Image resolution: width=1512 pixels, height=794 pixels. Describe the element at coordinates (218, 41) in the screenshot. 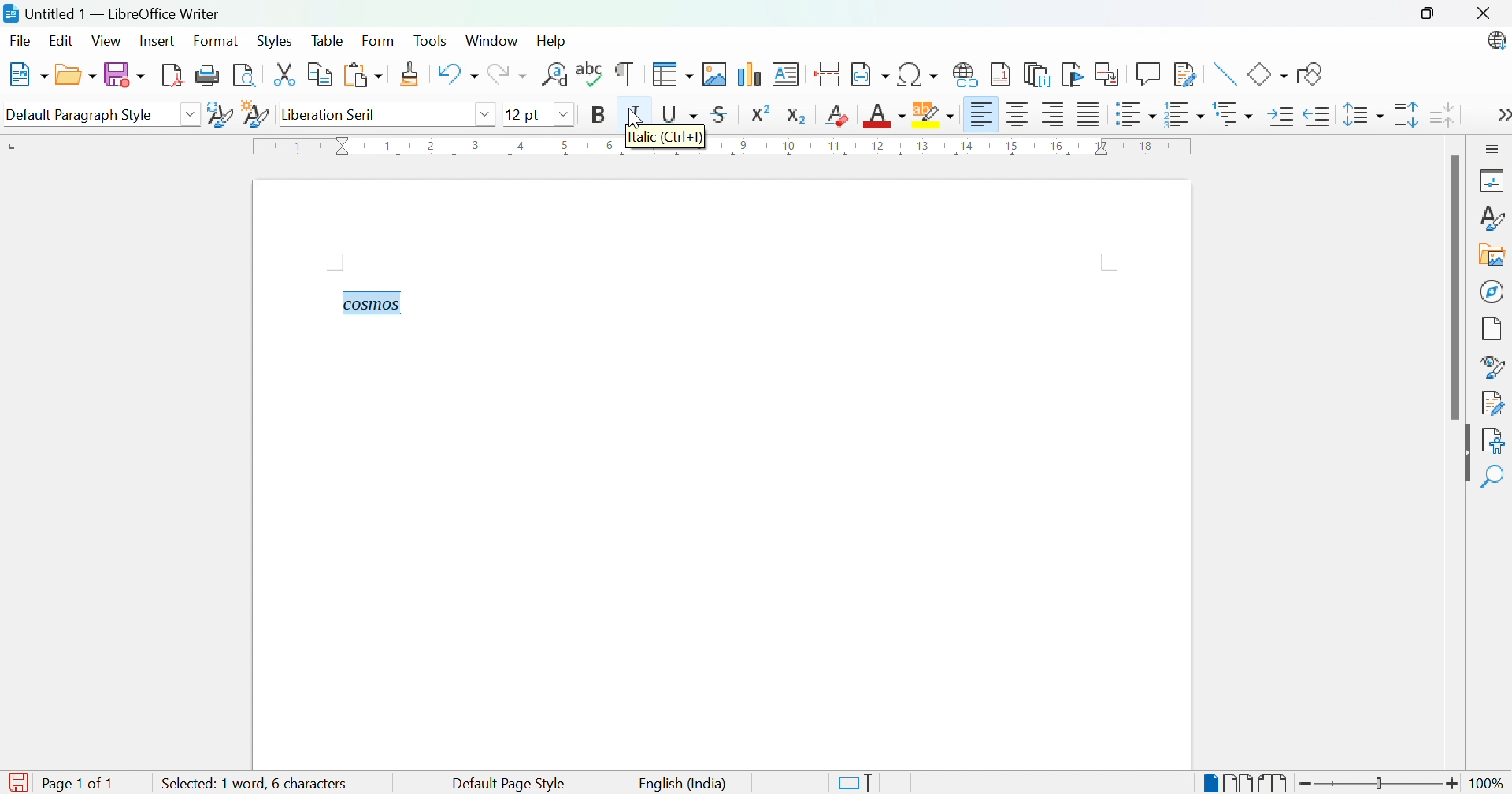

I see `Format` at that location.